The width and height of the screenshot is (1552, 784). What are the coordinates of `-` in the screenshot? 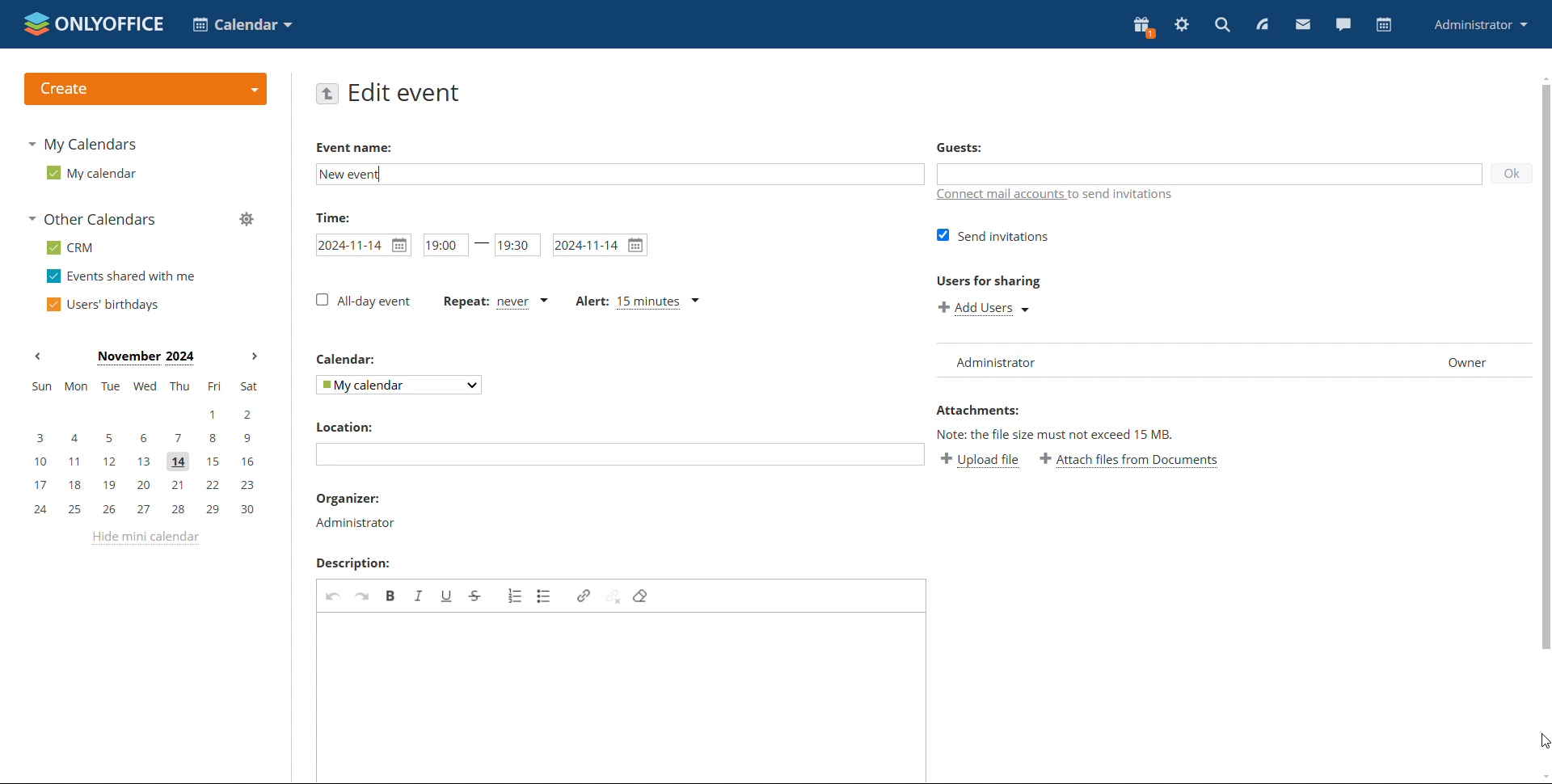 It's located at (483, 246).